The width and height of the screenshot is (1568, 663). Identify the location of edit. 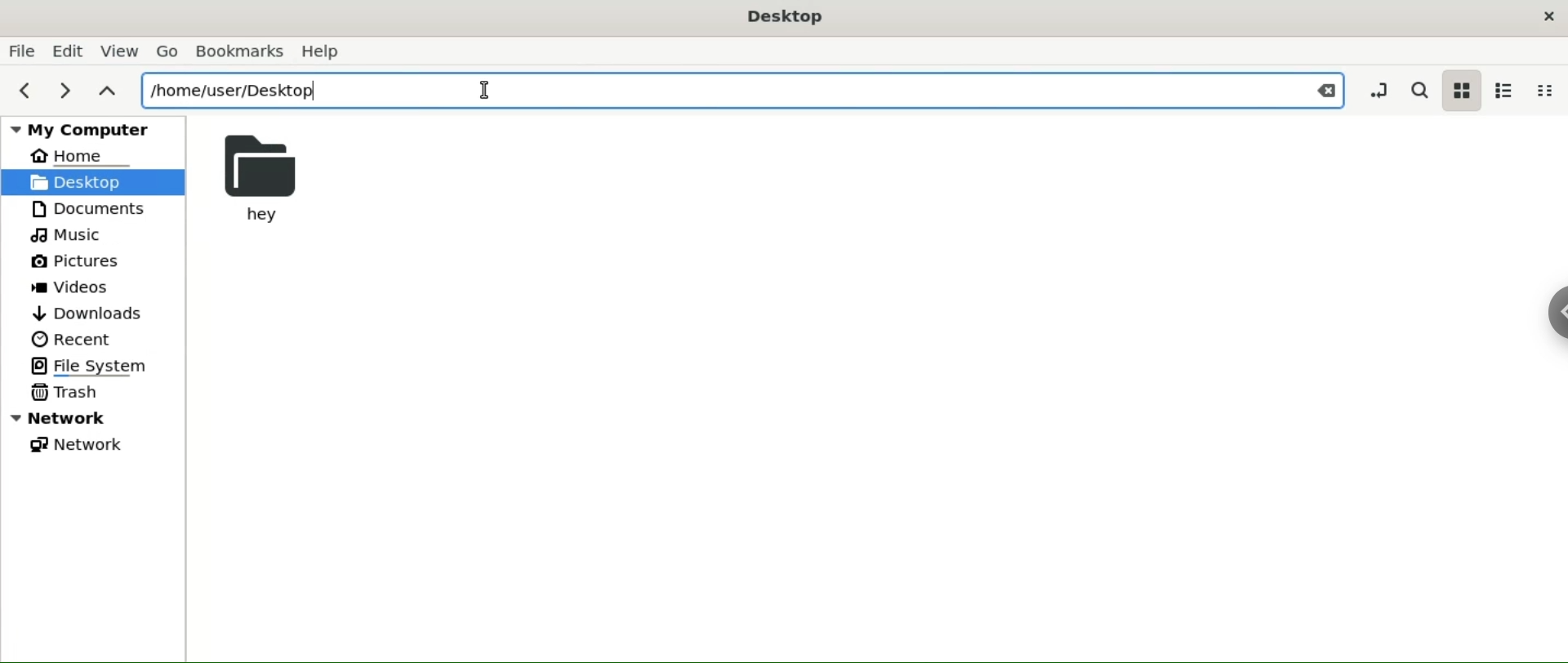
(67, 52).